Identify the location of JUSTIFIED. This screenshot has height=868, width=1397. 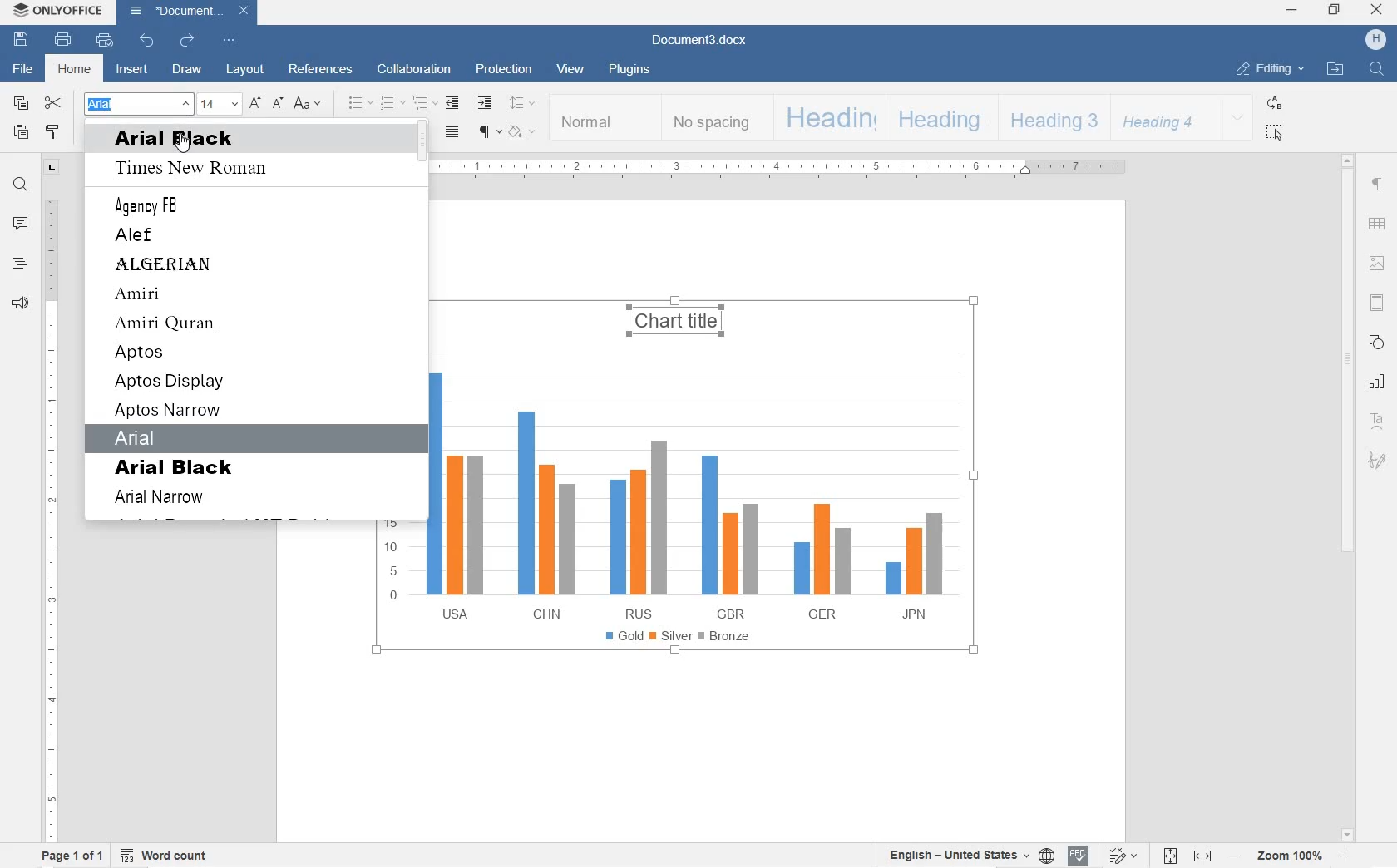
(452, 133).